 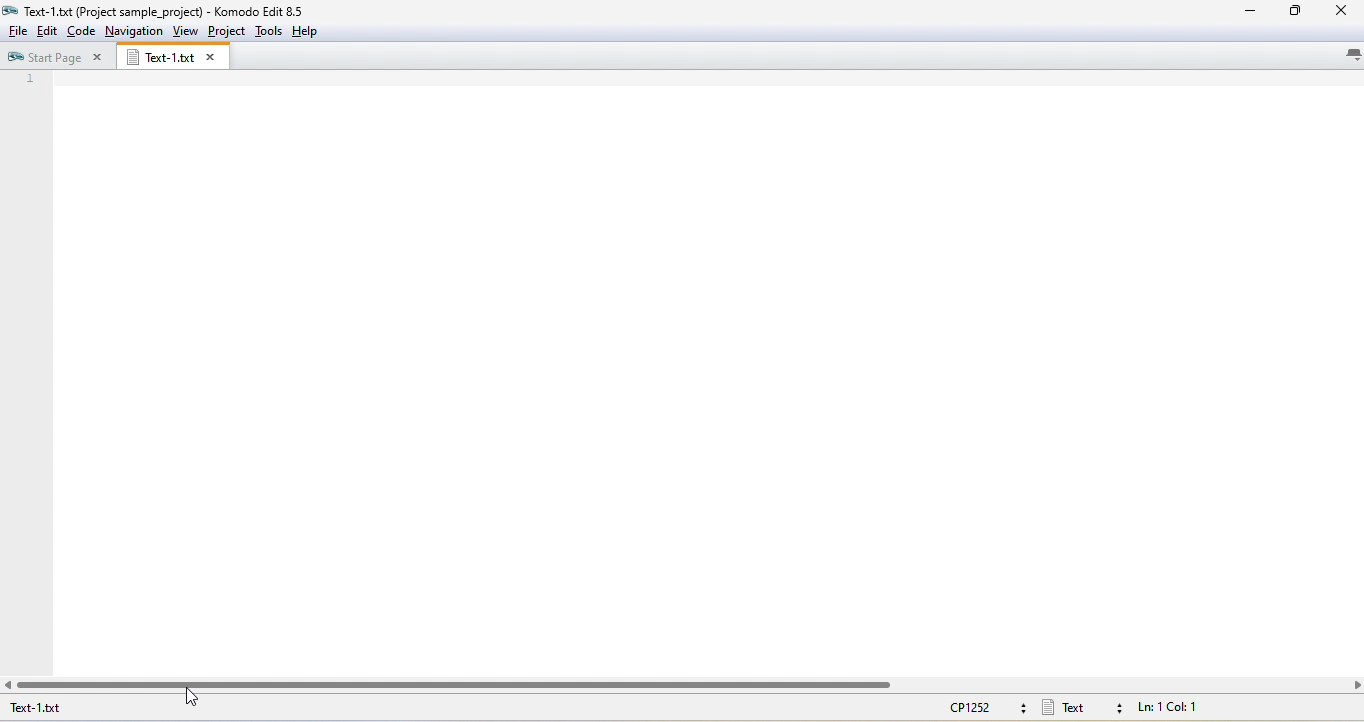 I want to click on minimize, so click(x=1248, y=11).